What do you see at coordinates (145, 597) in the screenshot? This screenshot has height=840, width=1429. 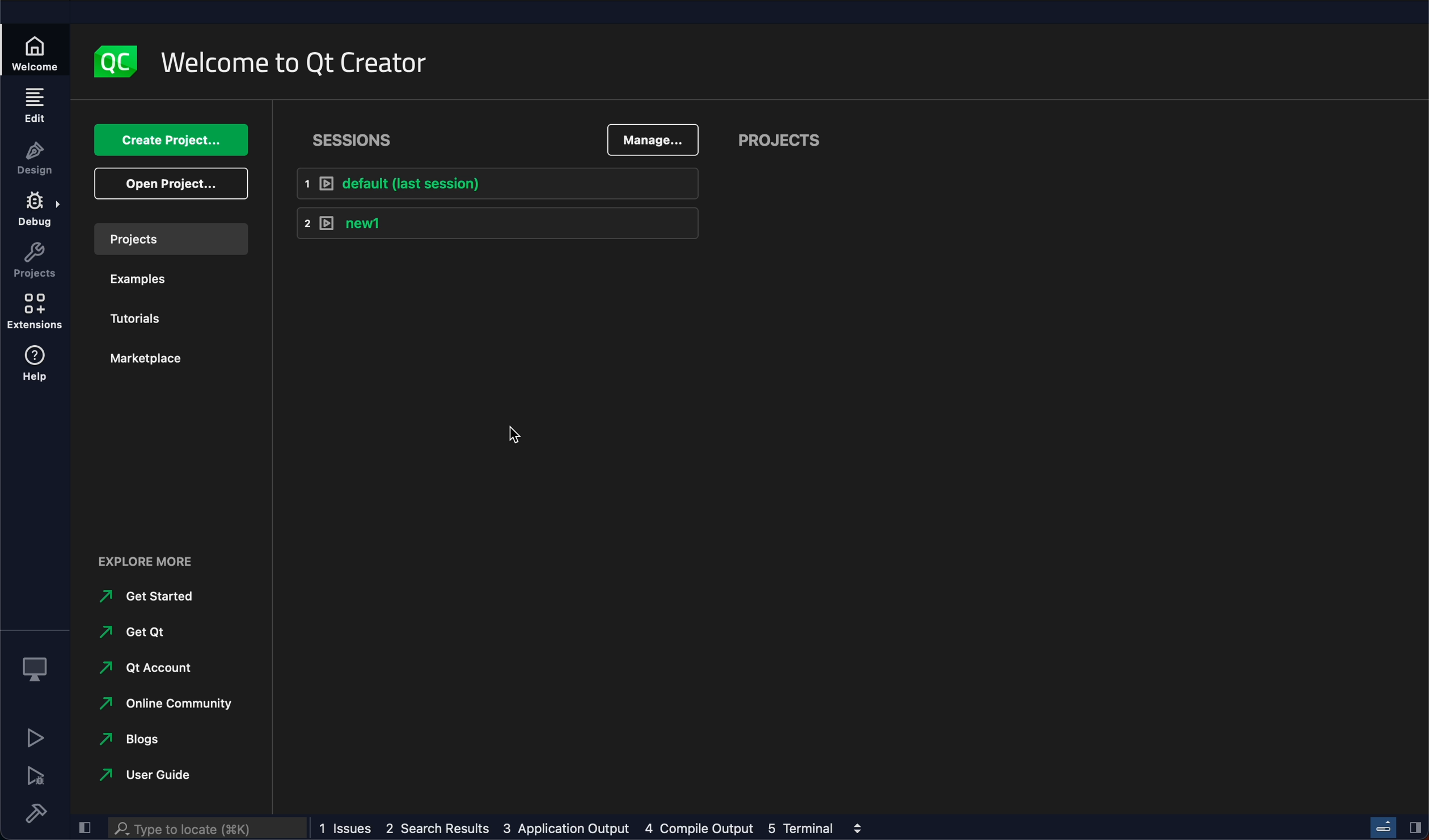 I see `get started` at bounding box center [145, 597].